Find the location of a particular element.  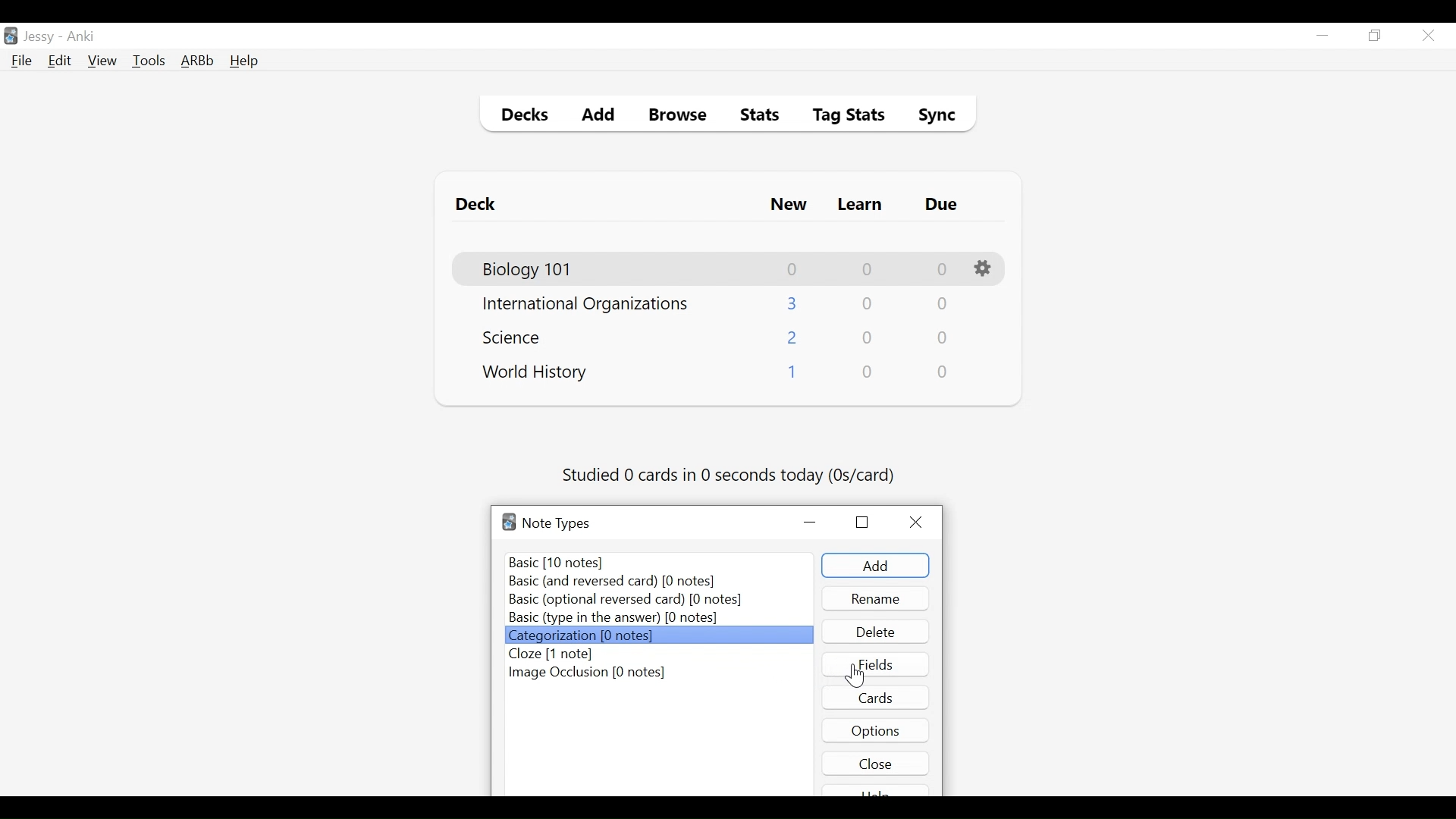

Restore is located at coordinates (862, 521).